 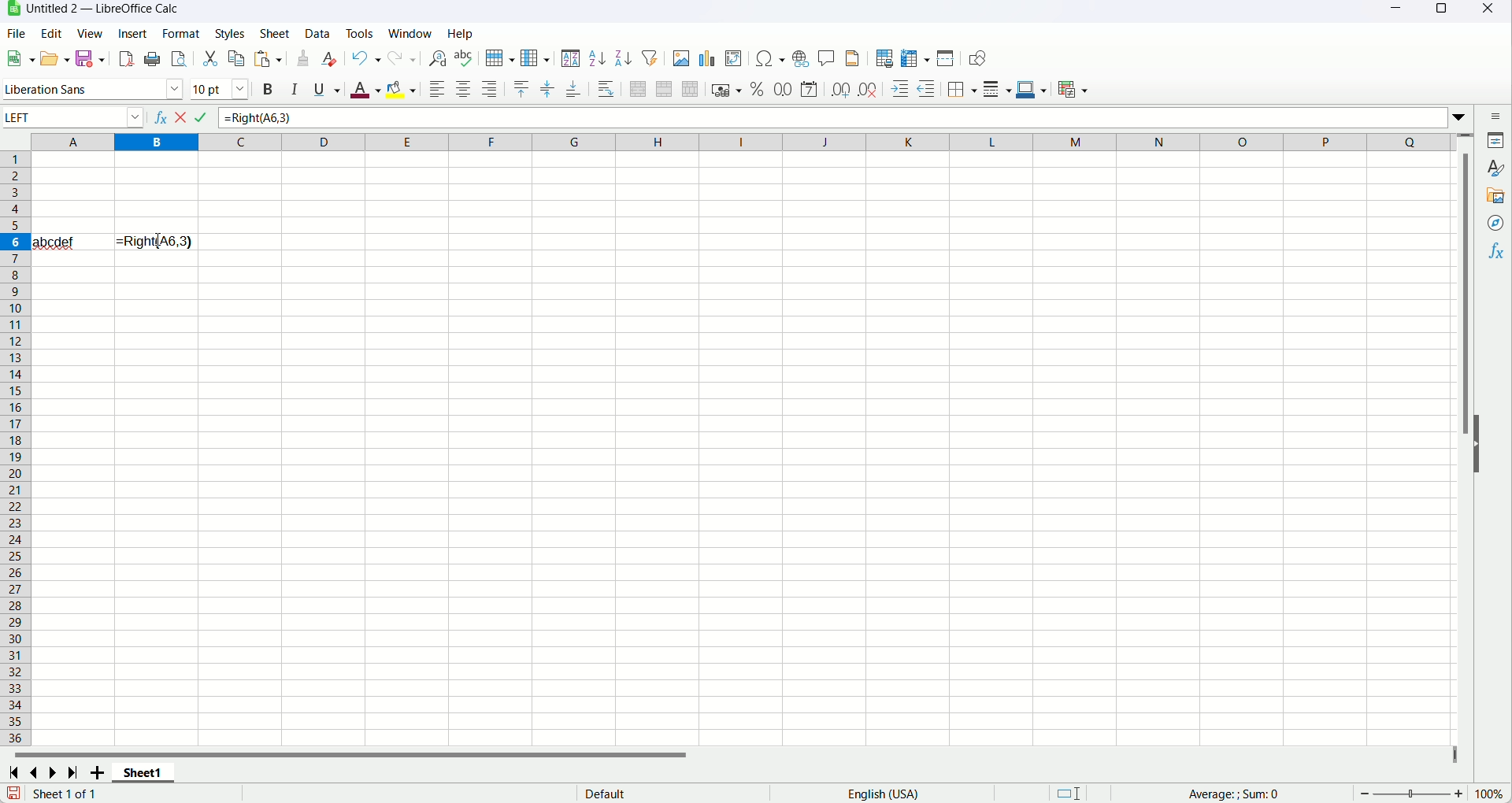 I want to click on format, so click(x=180, y=34).